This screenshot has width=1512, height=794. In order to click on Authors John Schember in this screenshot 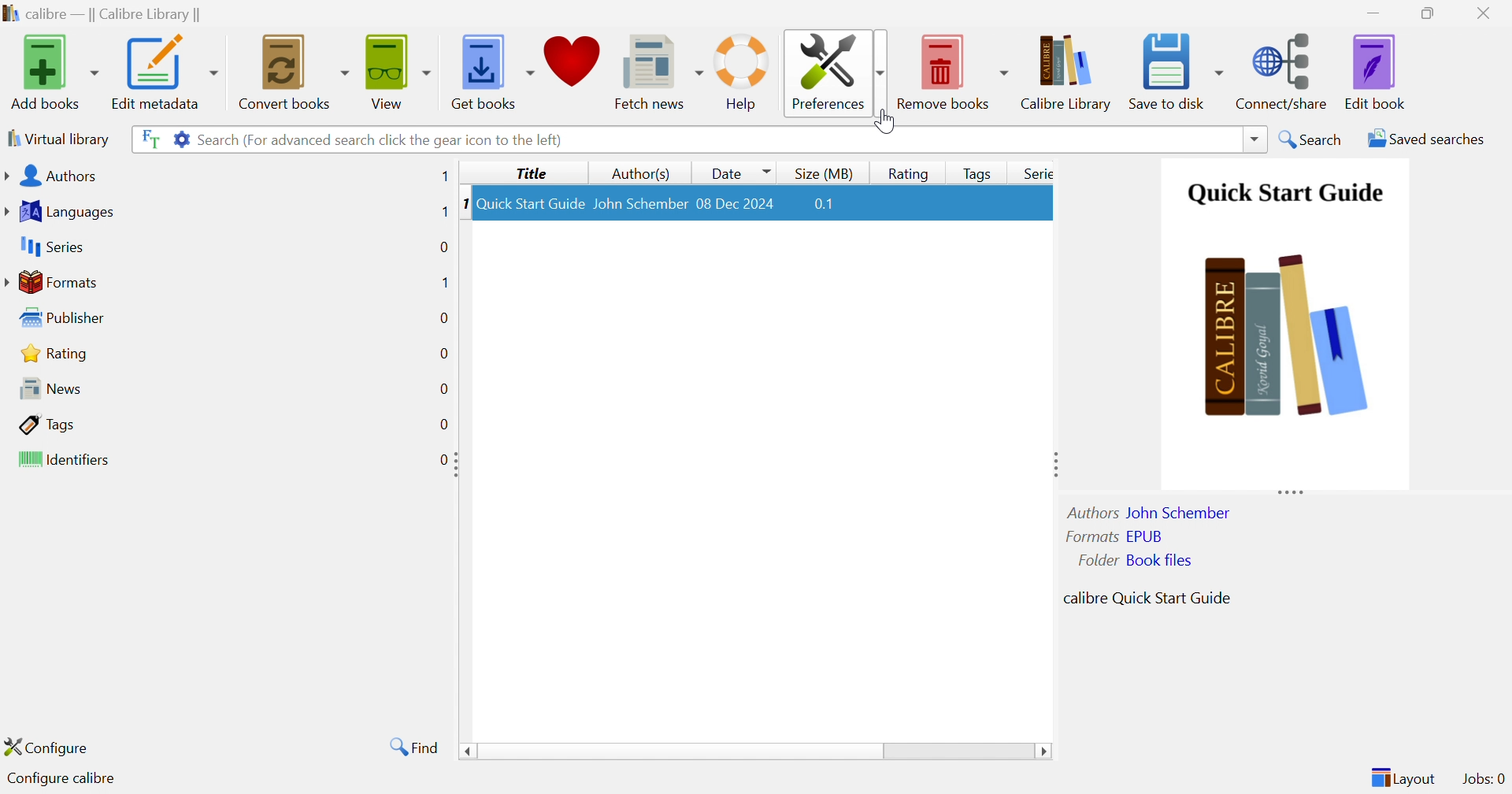, I will do `click(1151, 512)`.